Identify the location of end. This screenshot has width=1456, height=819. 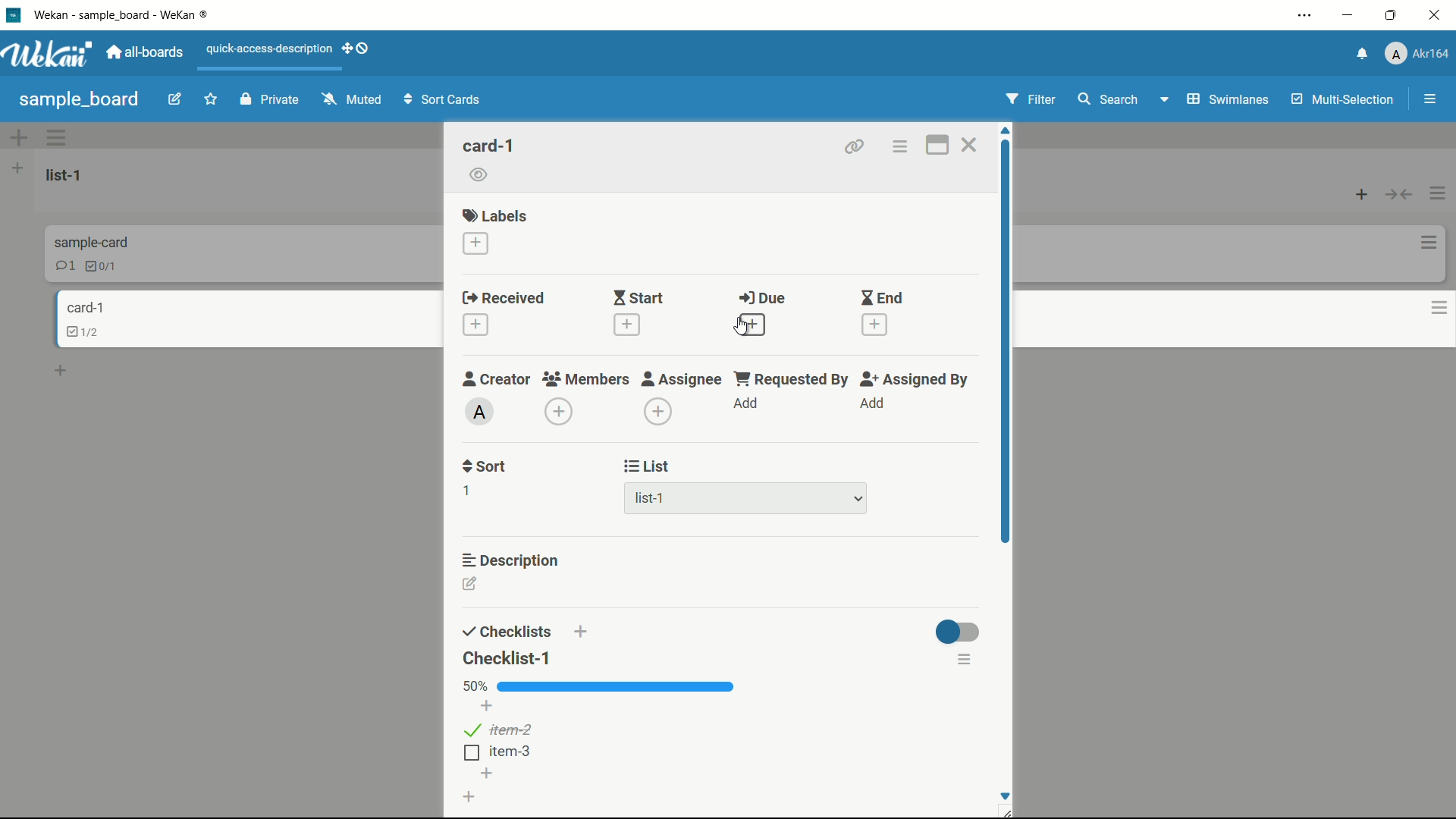
(882, 298).